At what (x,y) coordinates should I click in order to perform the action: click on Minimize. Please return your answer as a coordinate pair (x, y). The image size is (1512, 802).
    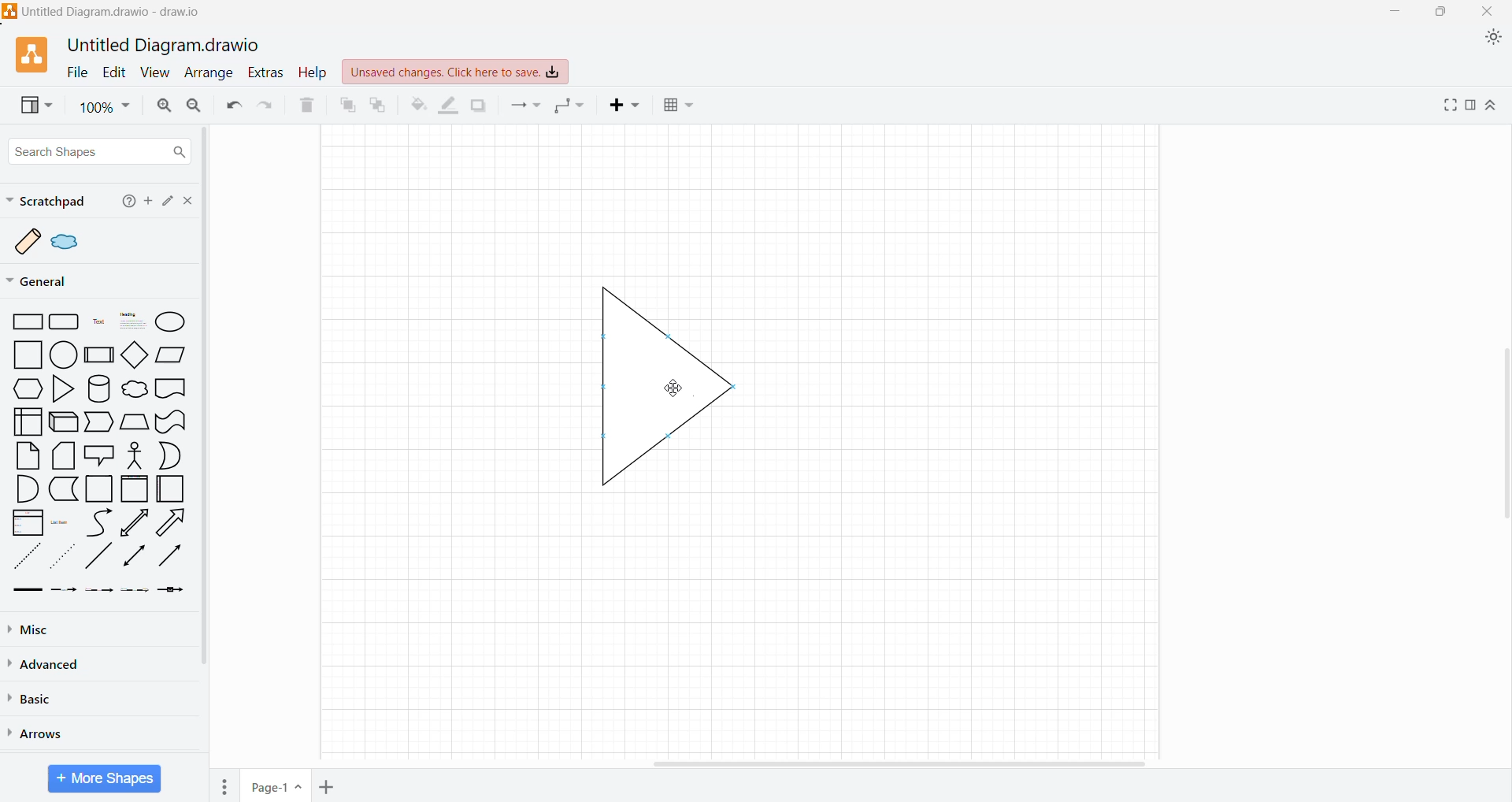
    Looking at the image, I should click on (1399, 10).